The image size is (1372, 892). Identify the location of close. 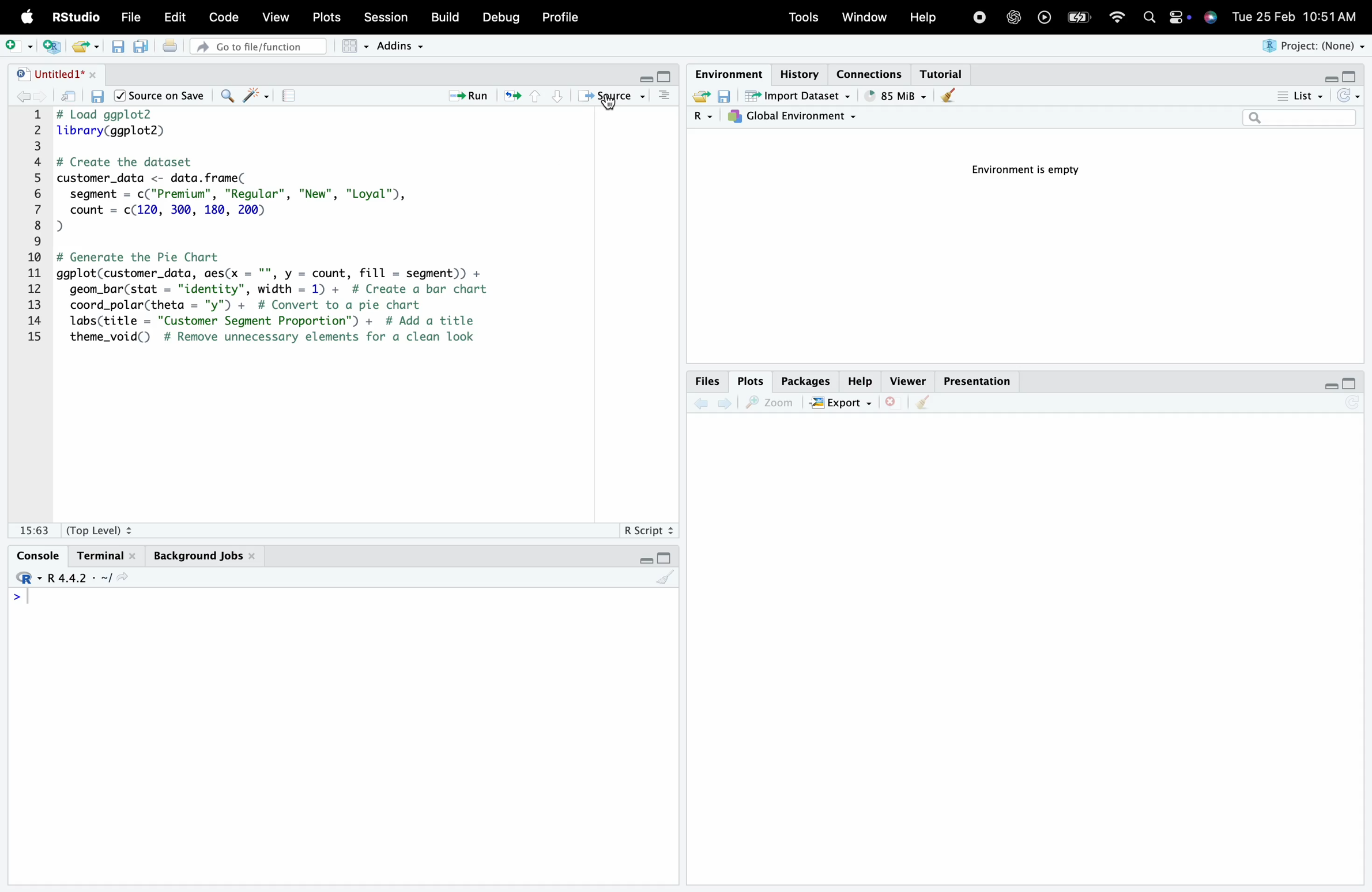
(894, 410).